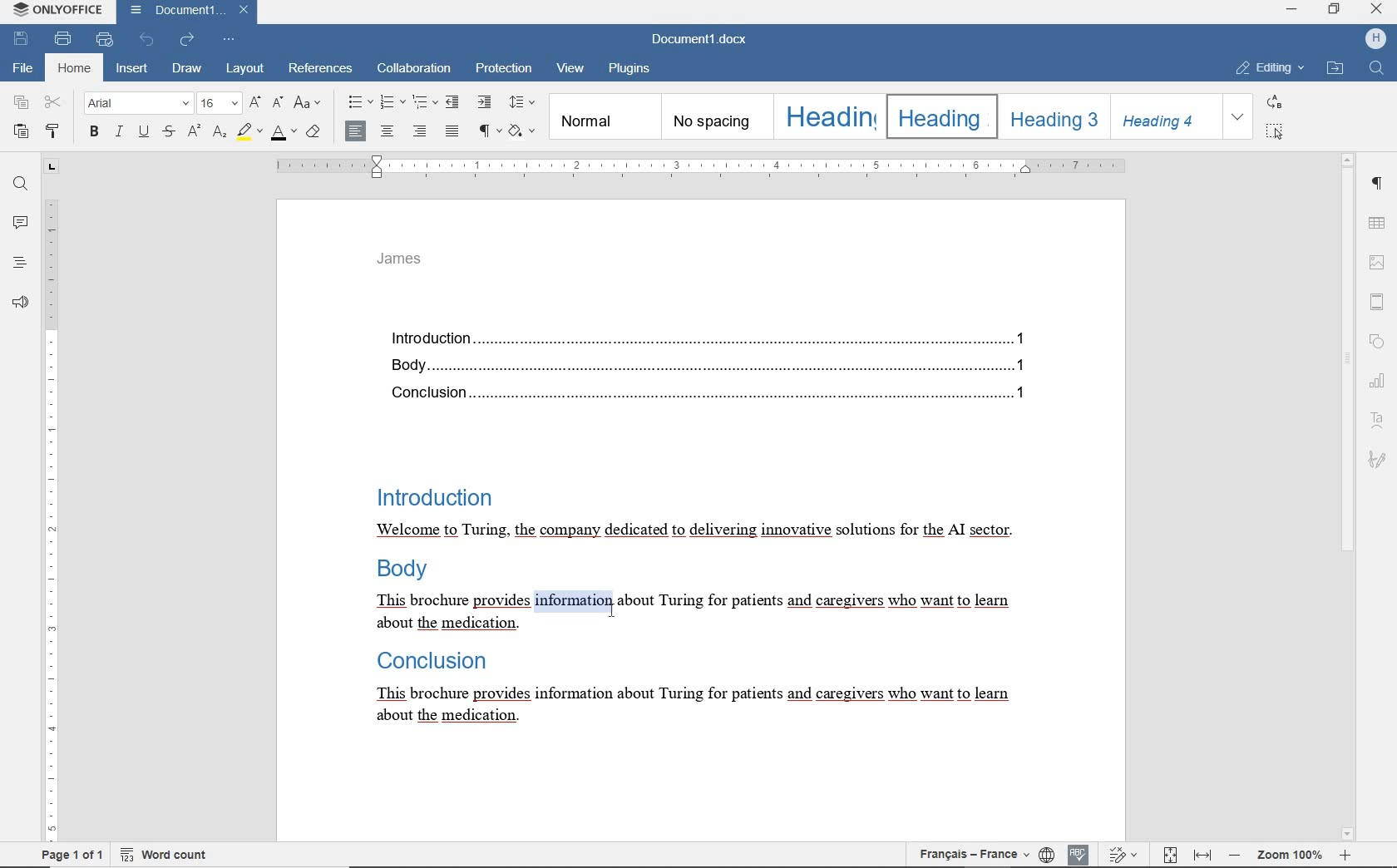 The image size is (1397, 868). I want to click on SELECT ALL, so click(1272, 131).